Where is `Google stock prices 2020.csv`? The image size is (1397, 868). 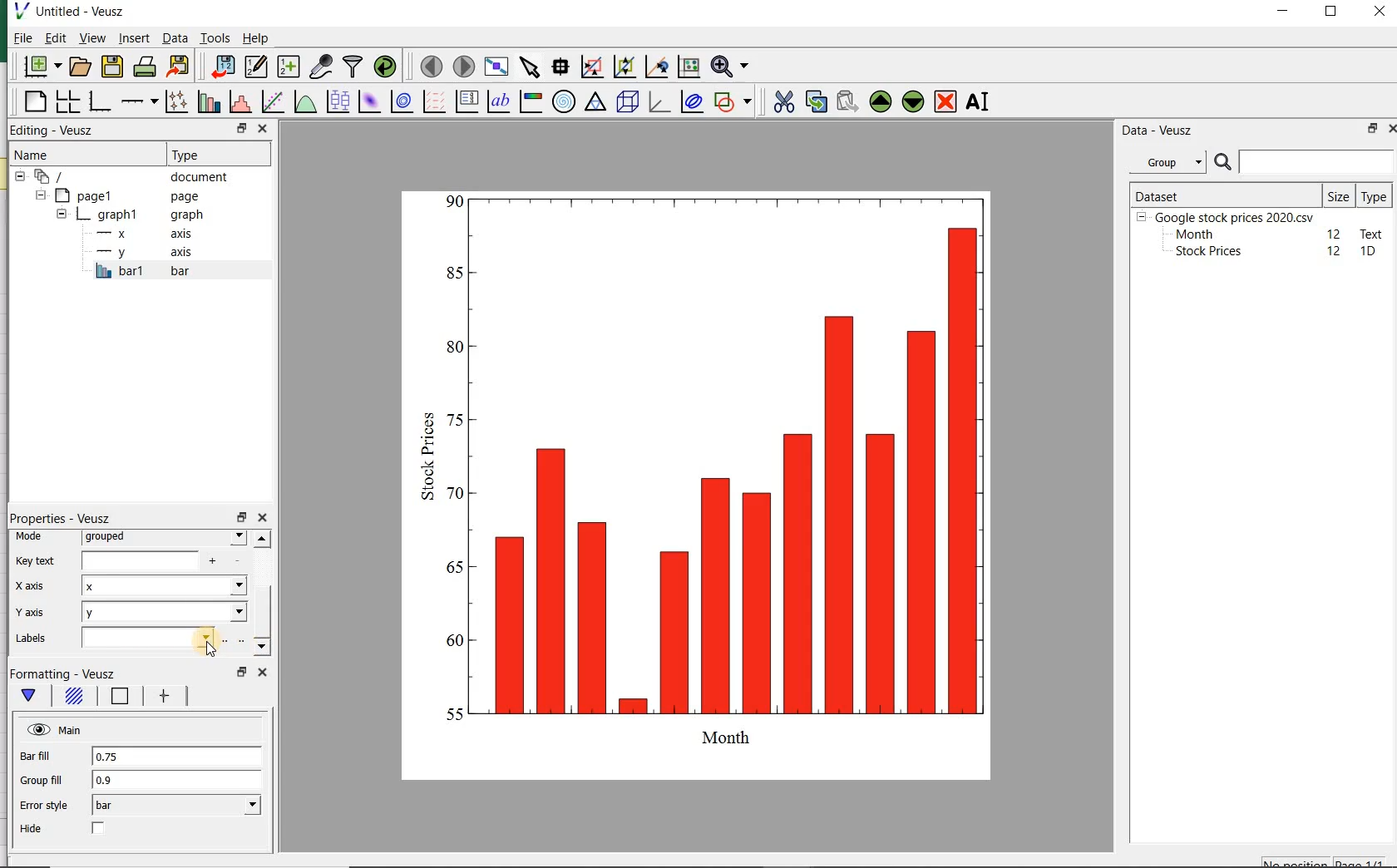 Google stock prices 2020.csv is located at coordinates (1228, 216).